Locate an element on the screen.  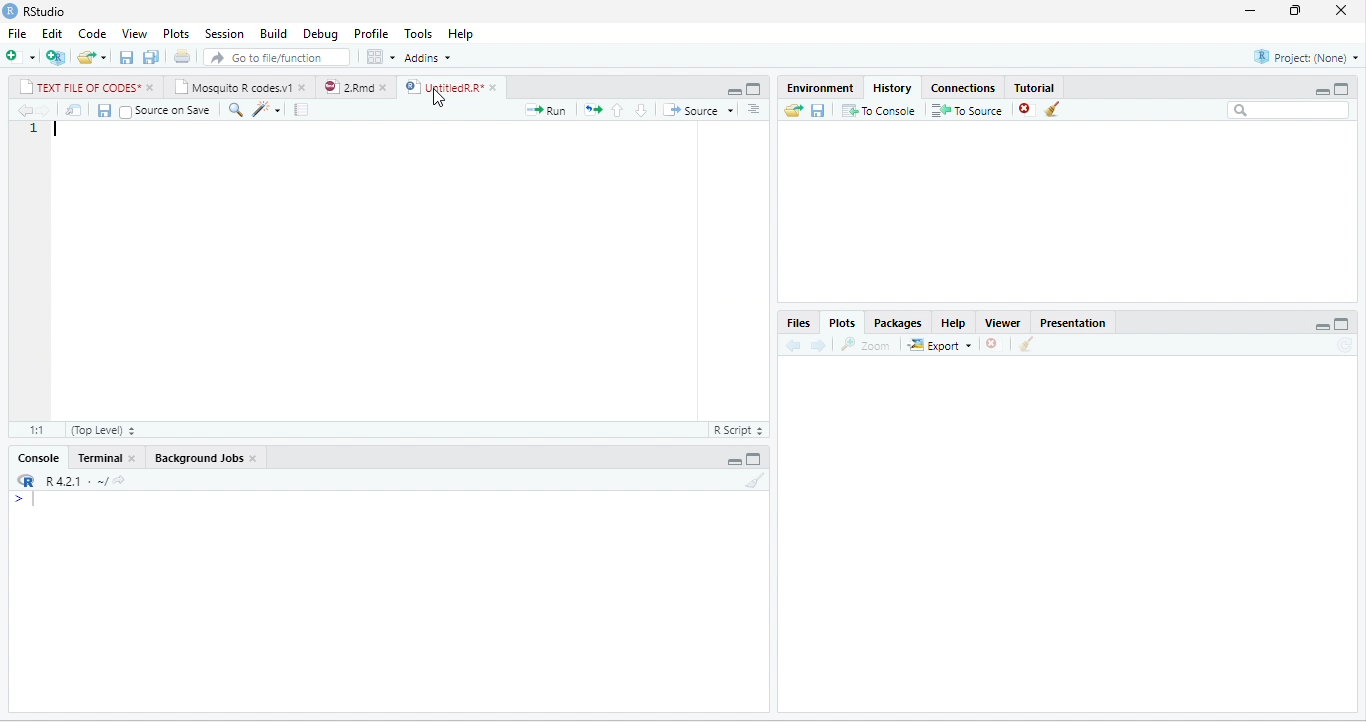
Addins is located at coordinates (428, 58).